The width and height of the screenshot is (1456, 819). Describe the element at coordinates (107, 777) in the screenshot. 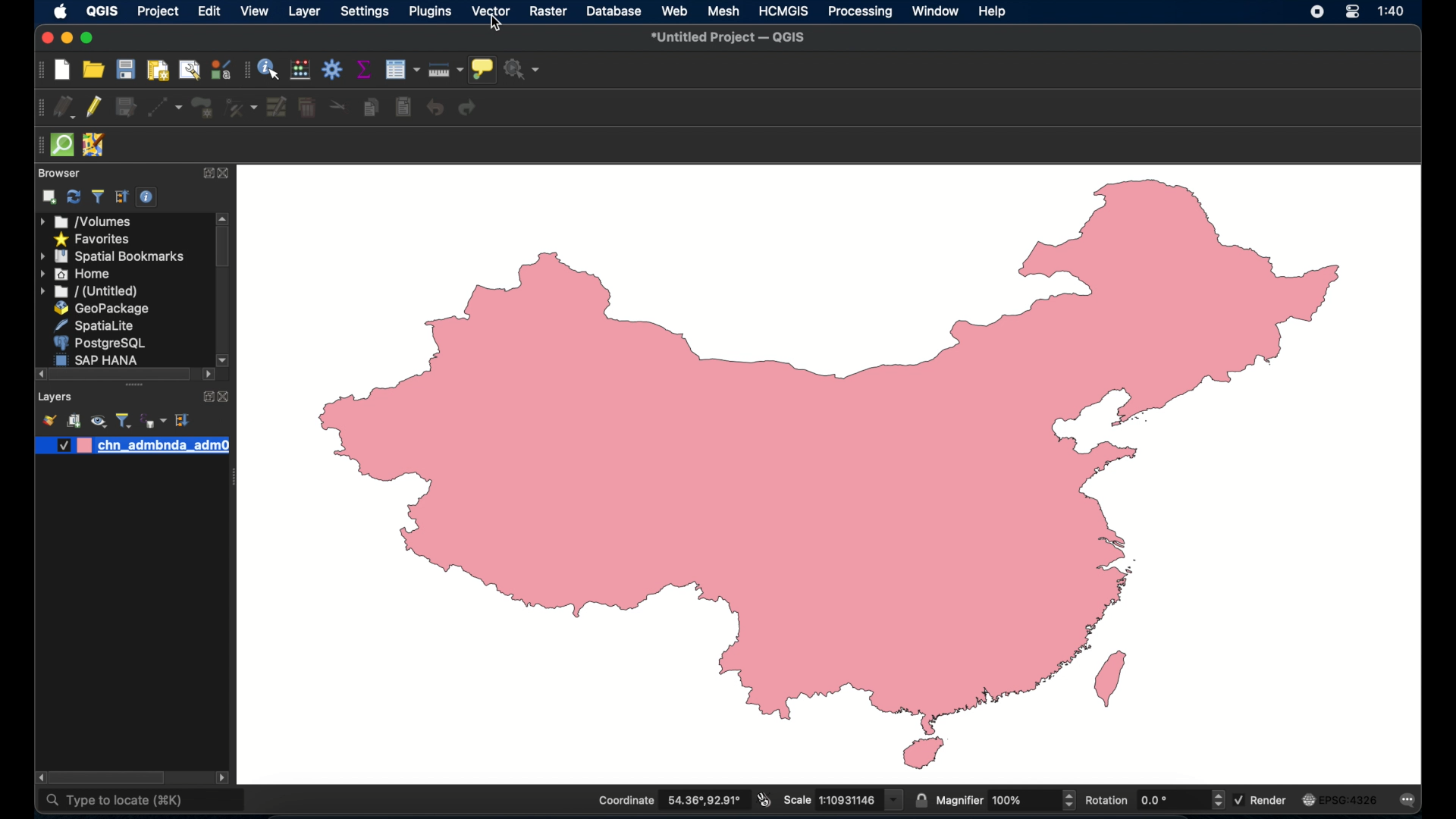

I see `scroll box` at that location.